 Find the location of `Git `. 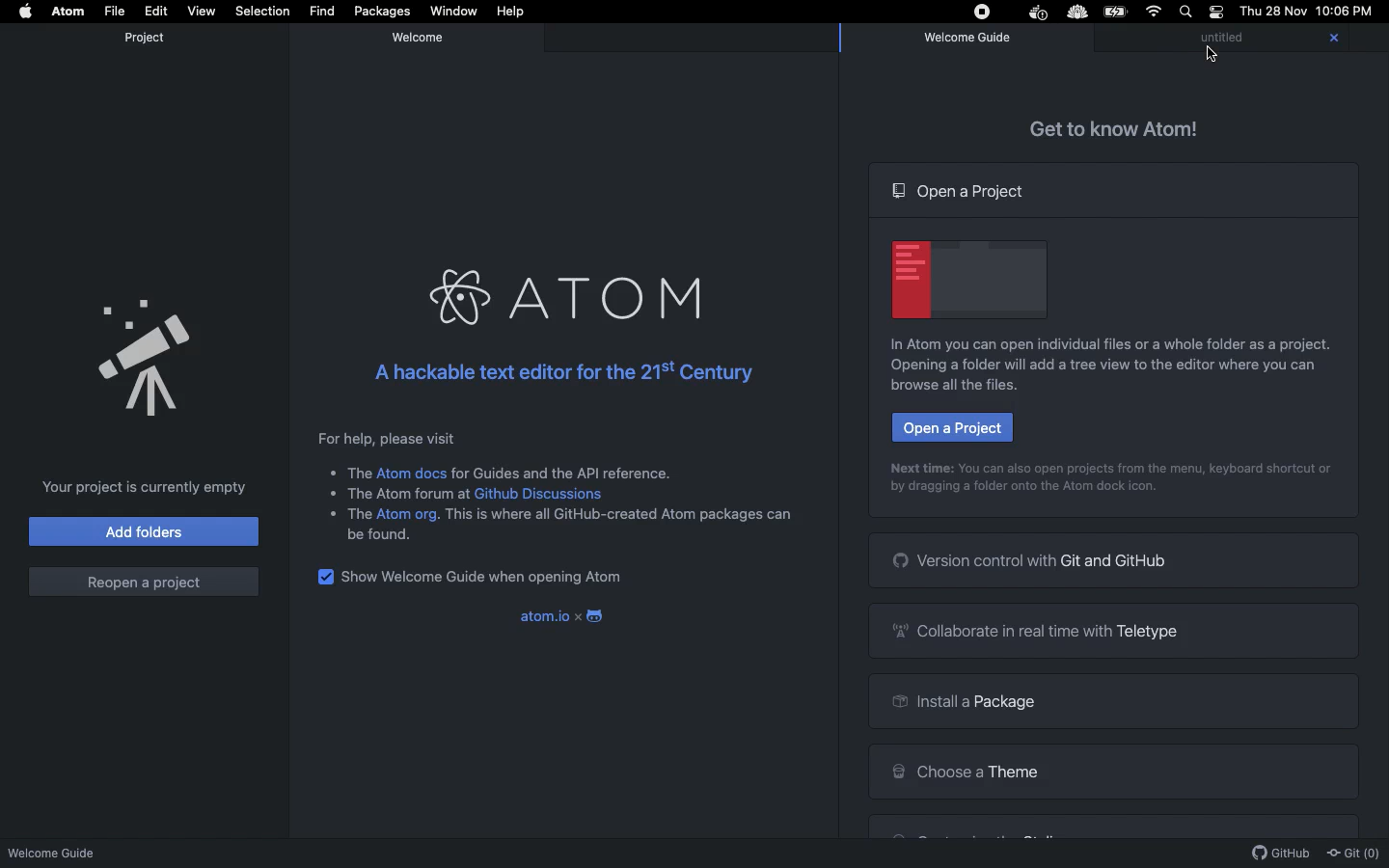

Git  is located at coordinates (1354, 849).